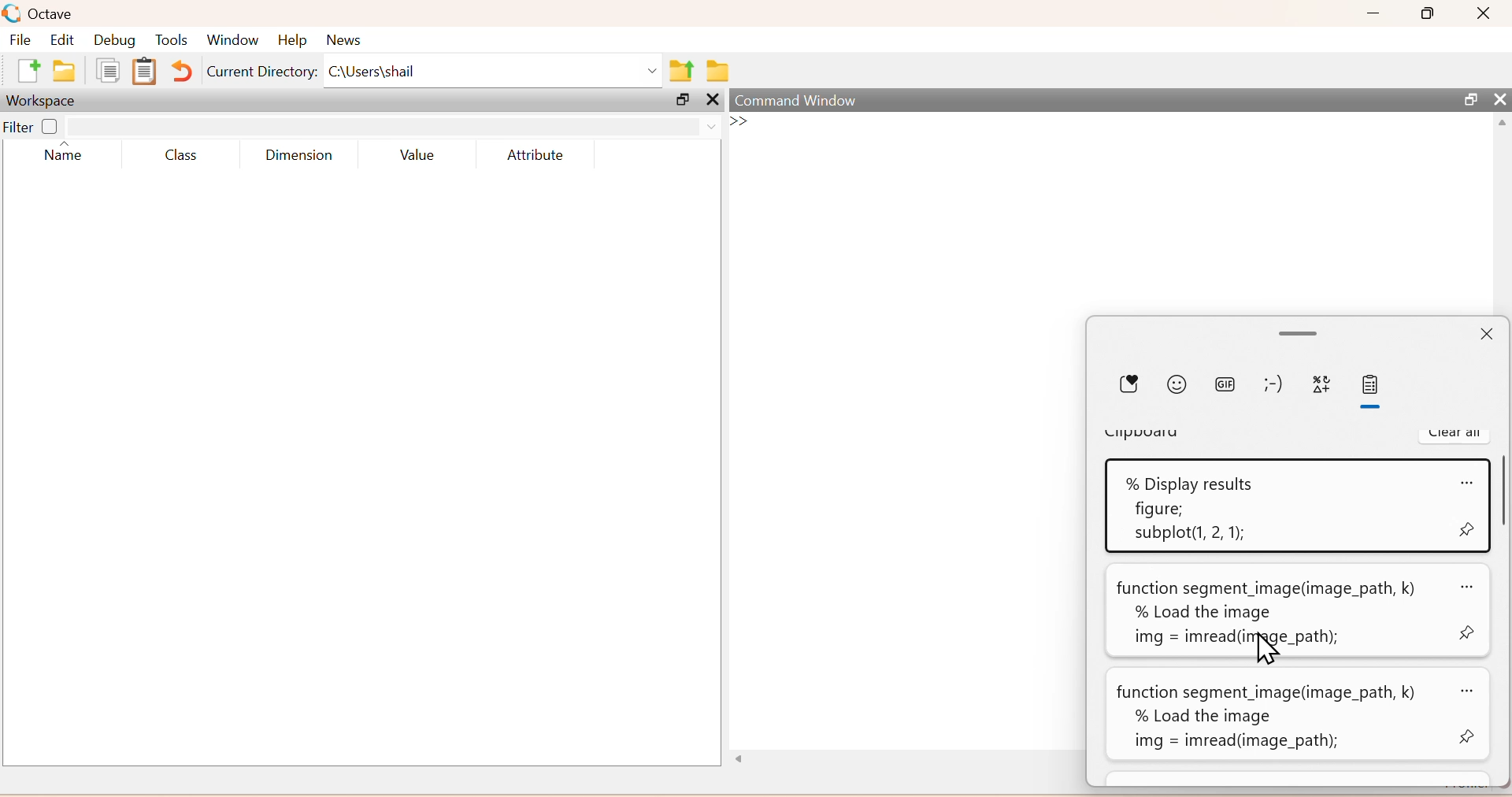 This screenshot has height=797, width=1512. I want to click on Help, so click(291, 42).